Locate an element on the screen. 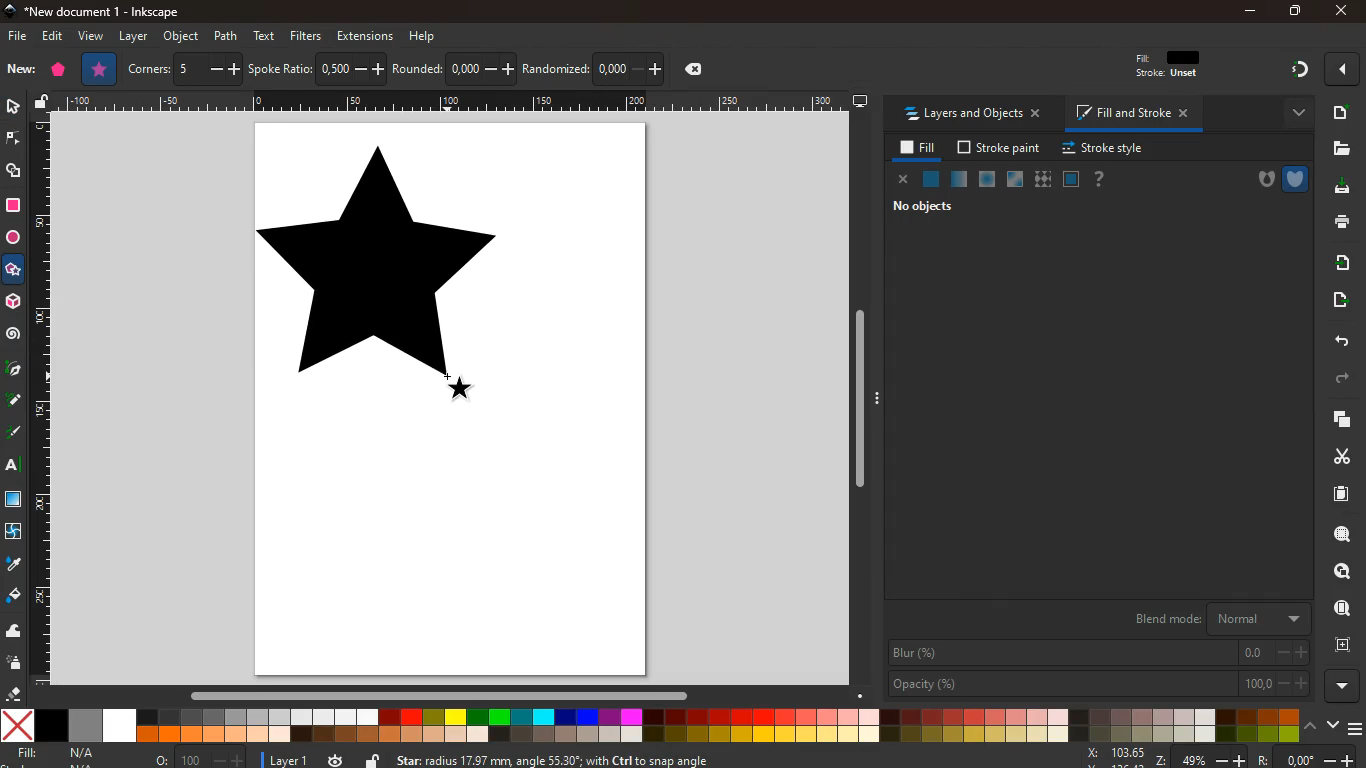 The image size is (1366, 768). layers is located at coordinates (1334, 419).